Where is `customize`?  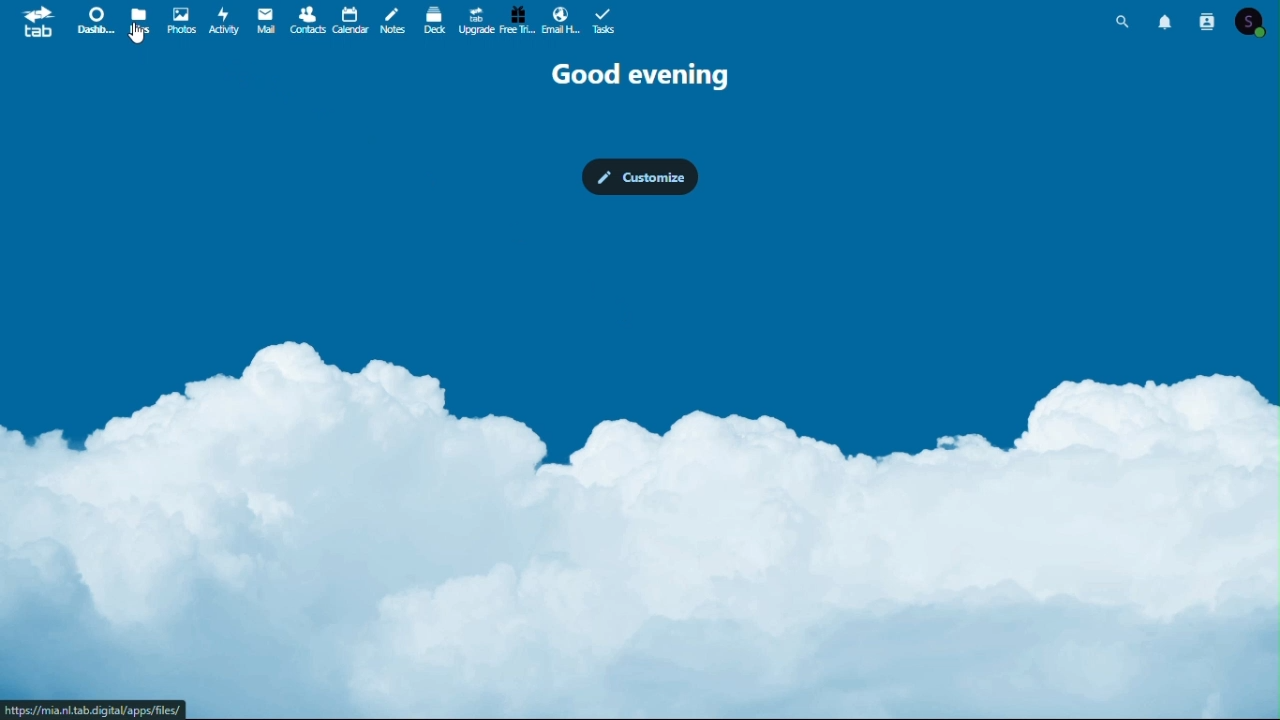
customize is located at coordinates (640, 178).